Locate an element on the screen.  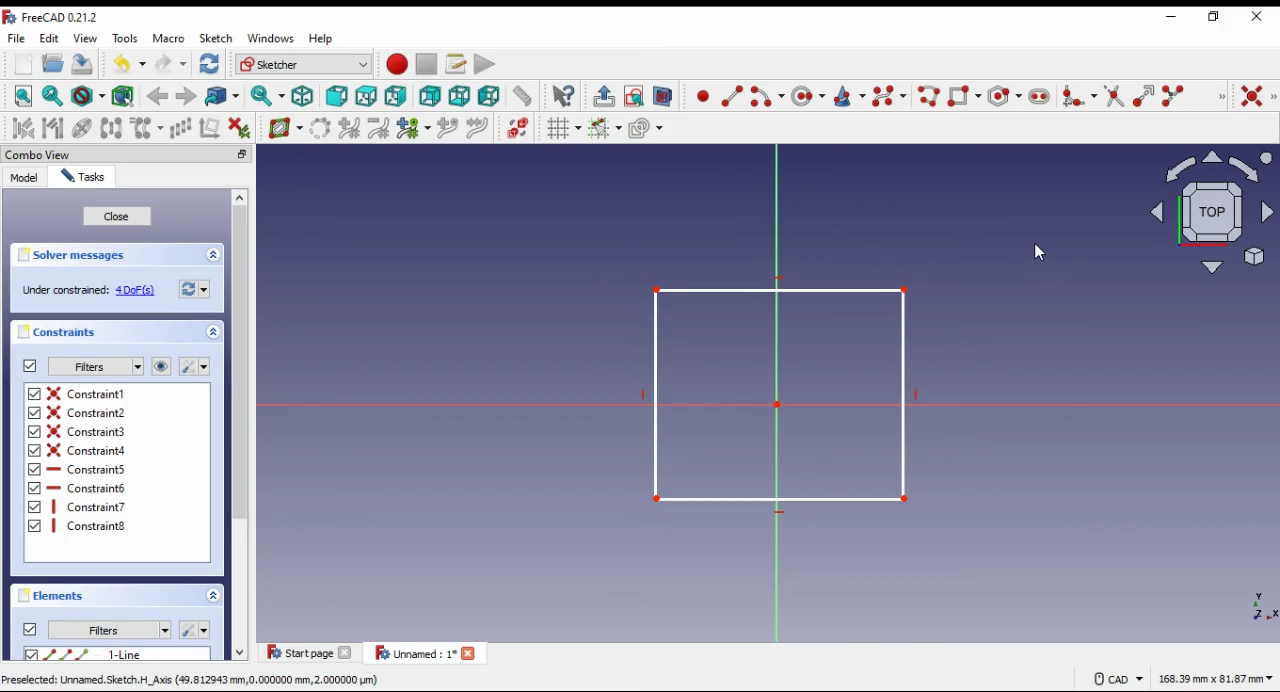
file is located at coordinates (18, 38).